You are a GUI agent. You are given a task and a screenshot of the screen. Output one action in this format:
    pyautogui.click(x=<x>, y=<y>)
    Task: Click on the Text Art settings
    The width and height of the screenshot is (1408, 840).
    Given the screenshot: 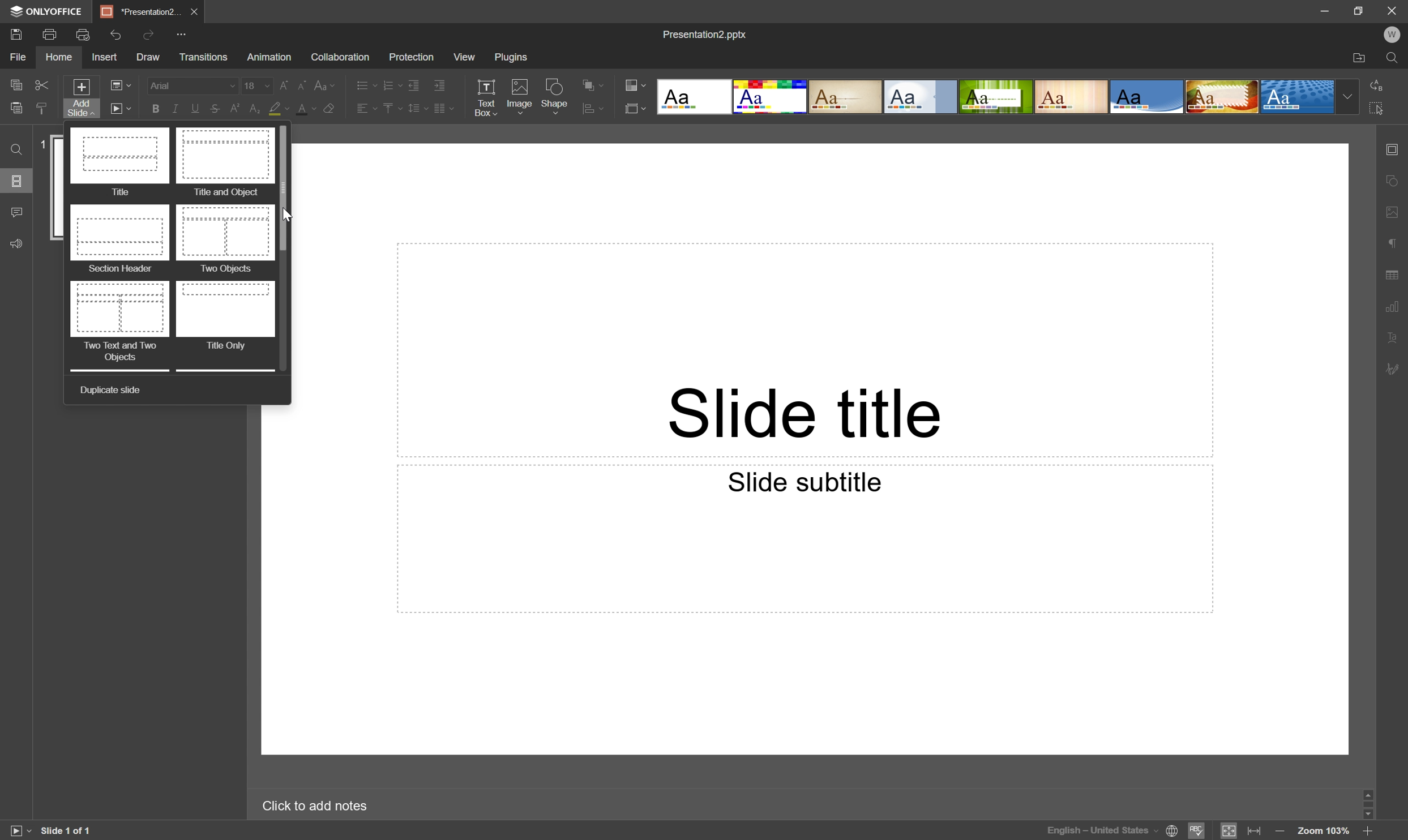 What is the action you would take?
    pyautogui.click(x=1395, y=336)
    